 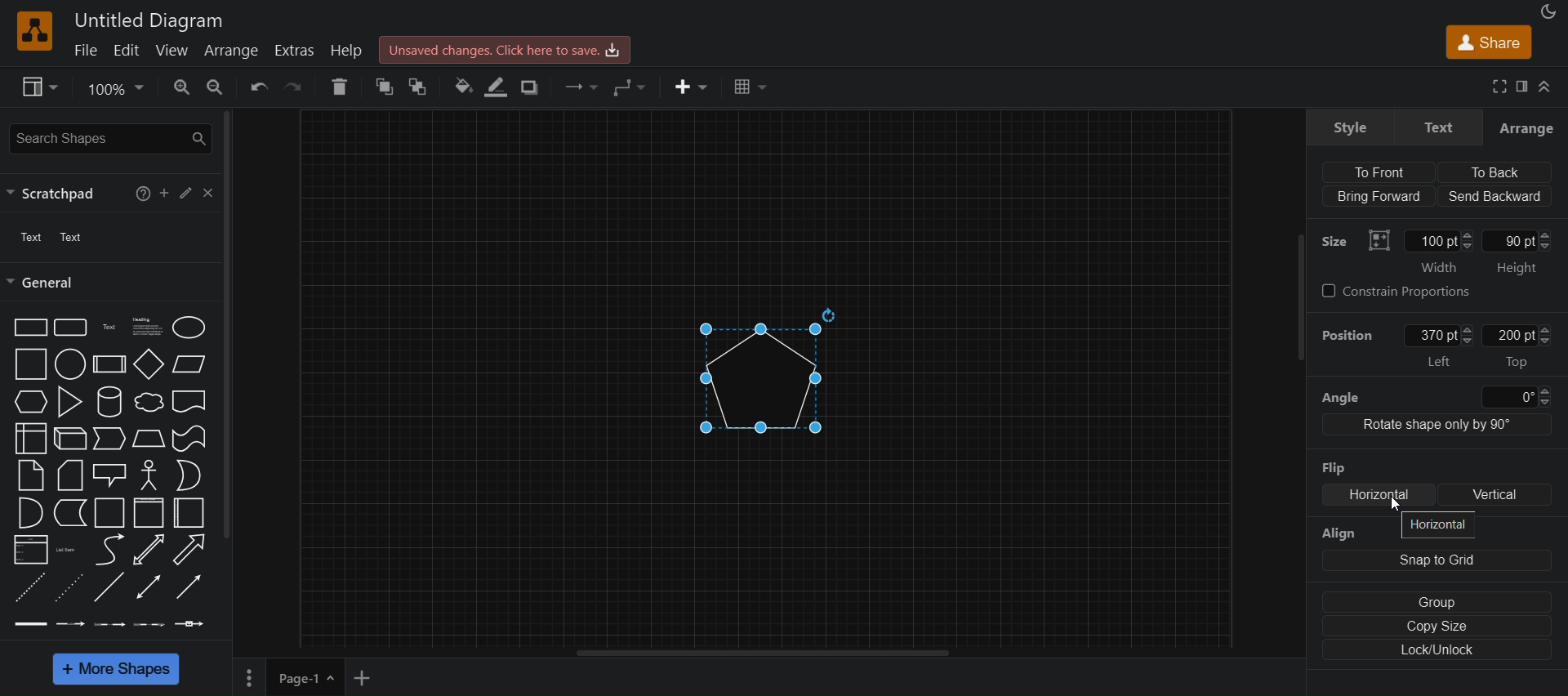 What do you see at coordinates (1379, 196) in the screenshot?
I see `Bring forward` at bounding box center [1379, 196].